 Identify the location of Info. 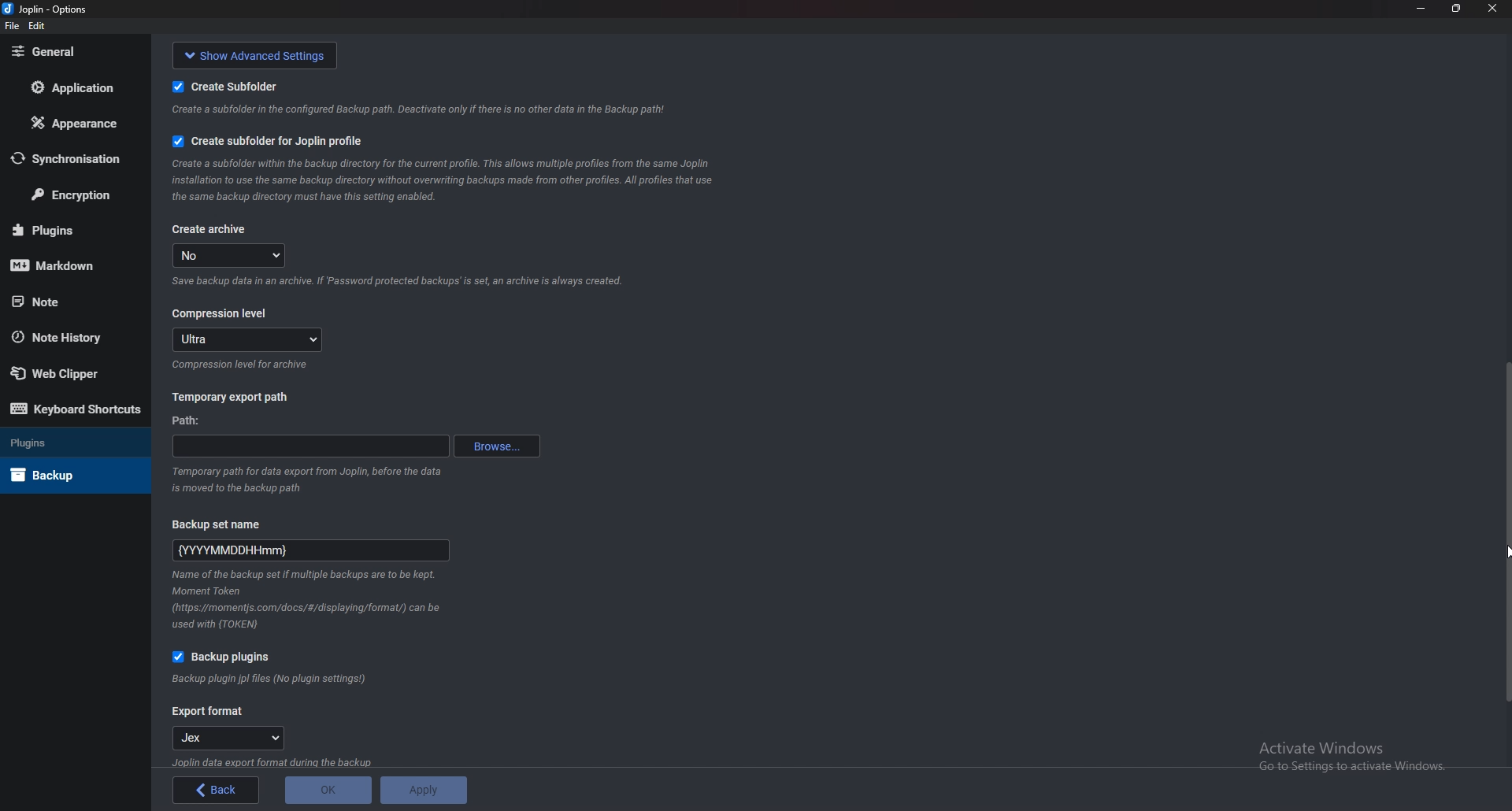
(417, 111).